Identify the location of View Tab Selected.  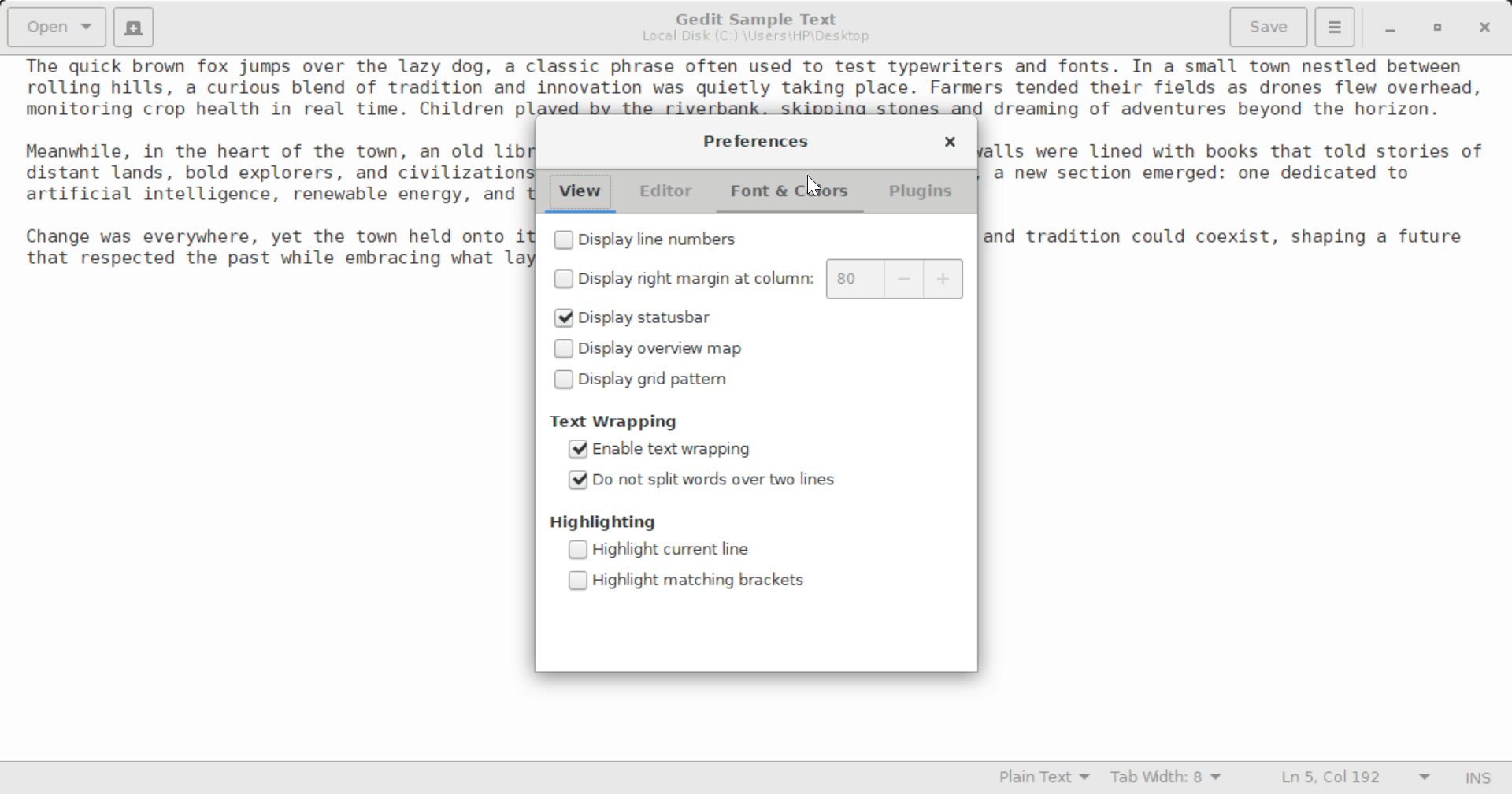
(580, 193).